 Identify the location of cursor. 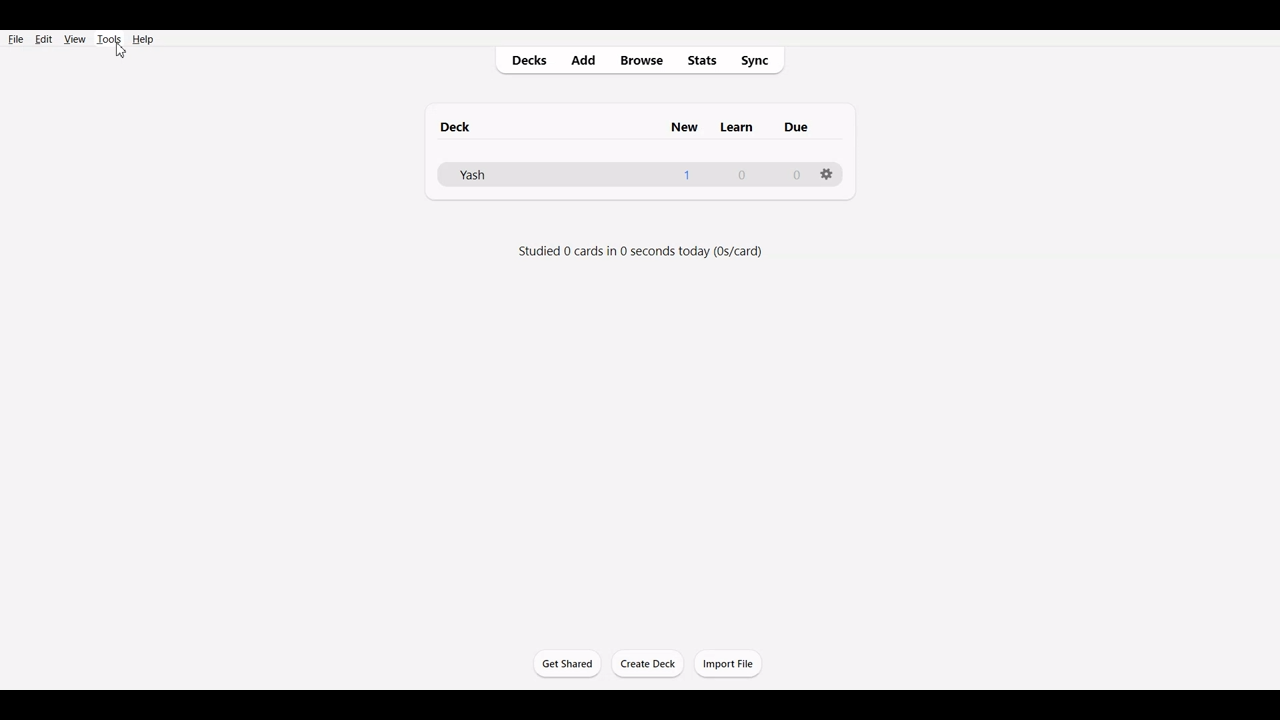
(115, 57).